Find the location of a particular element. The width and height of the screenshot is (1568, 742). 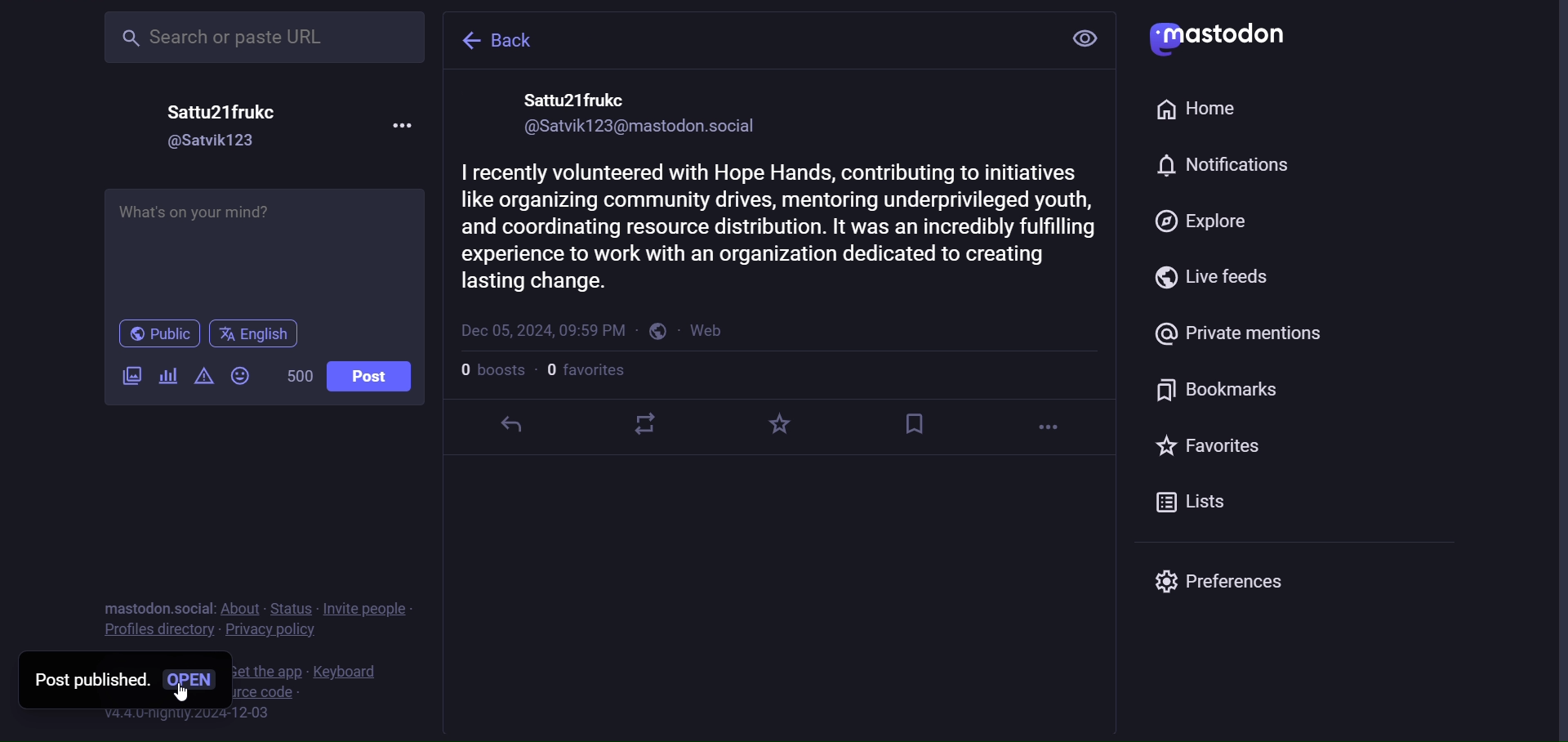

mastodon is located at coordinates (1228, 38).